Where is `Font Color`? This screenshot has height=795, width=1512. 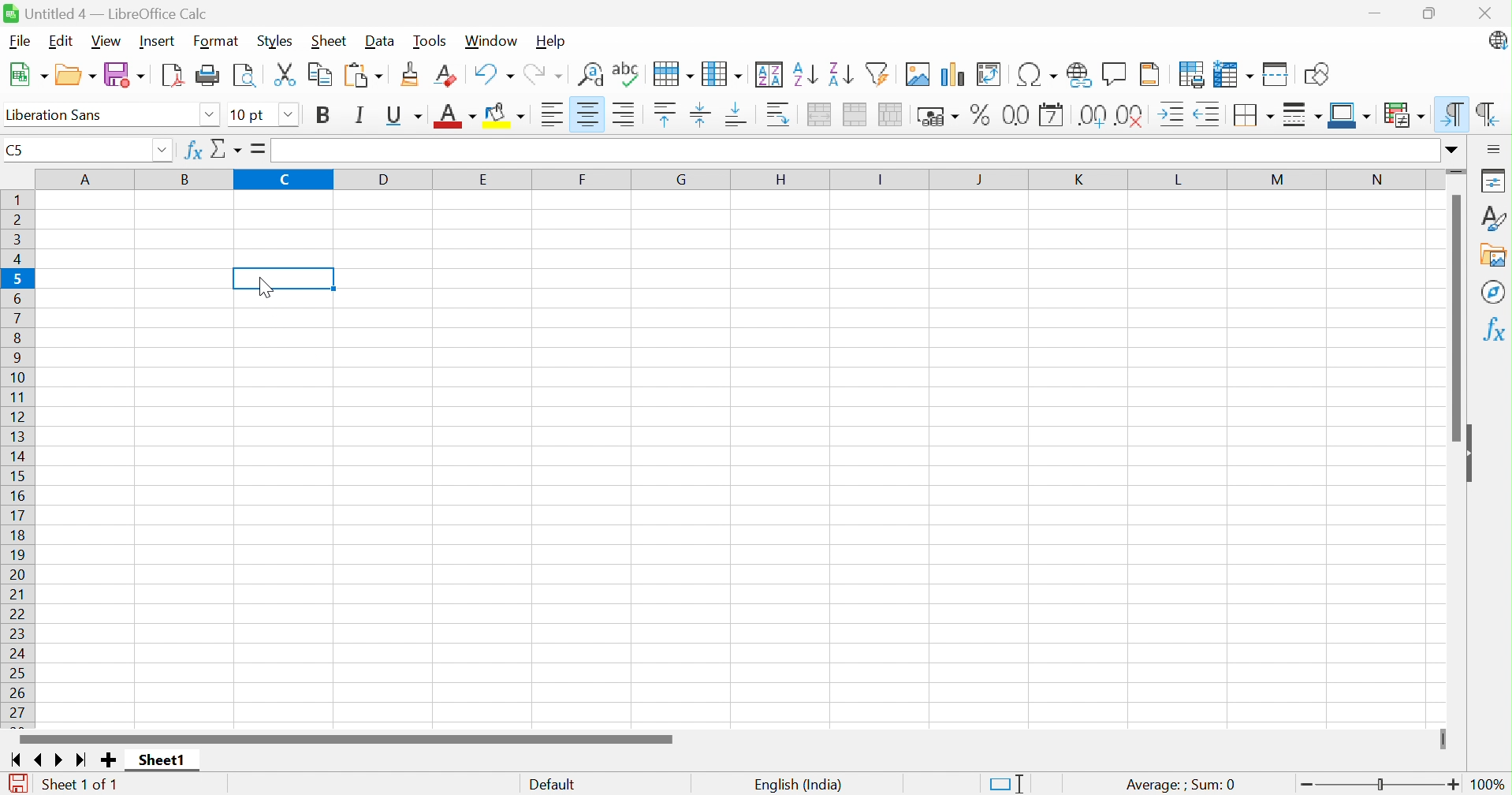
Font Color is located at coordinates (455, 115).